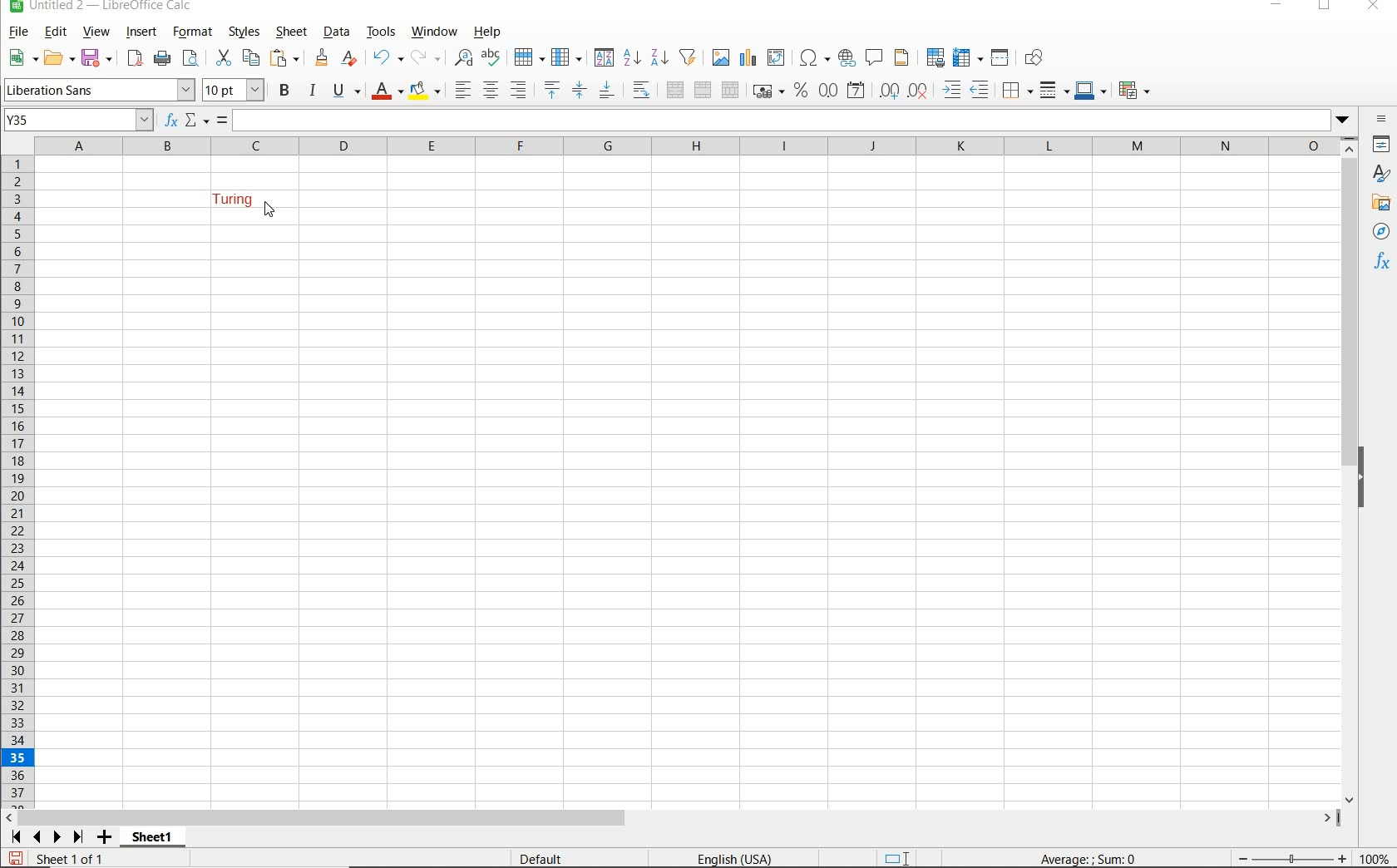  What do you see at coordinates (17, 33) in the screenshot?
I see `FILE` at bounding box center [17, 33].